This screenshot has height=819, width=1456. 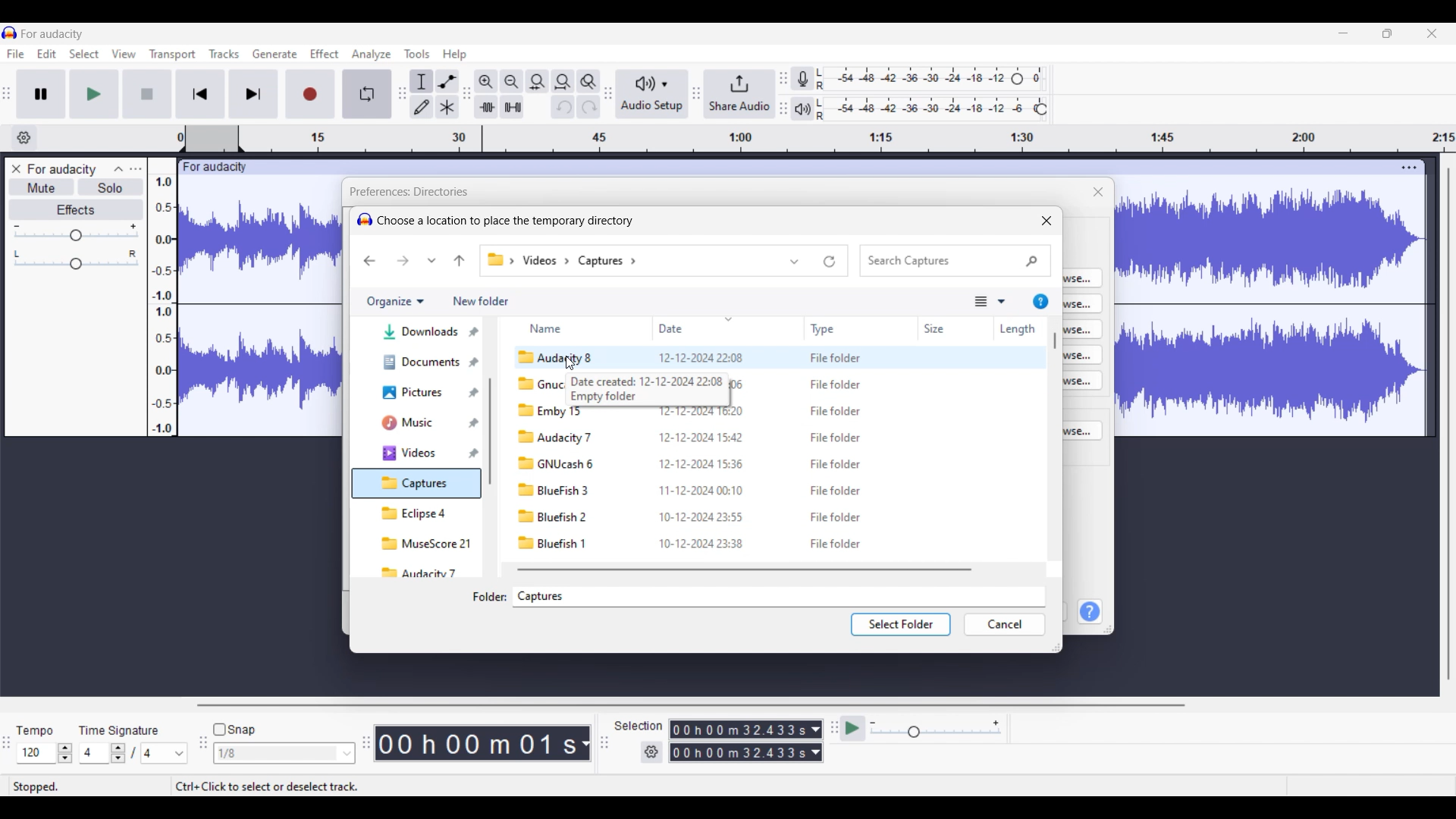 What do you see at coordinates (1017, 79) in the screenshot?
I see `Header to change recording level` at bounding box center [1017, 79].